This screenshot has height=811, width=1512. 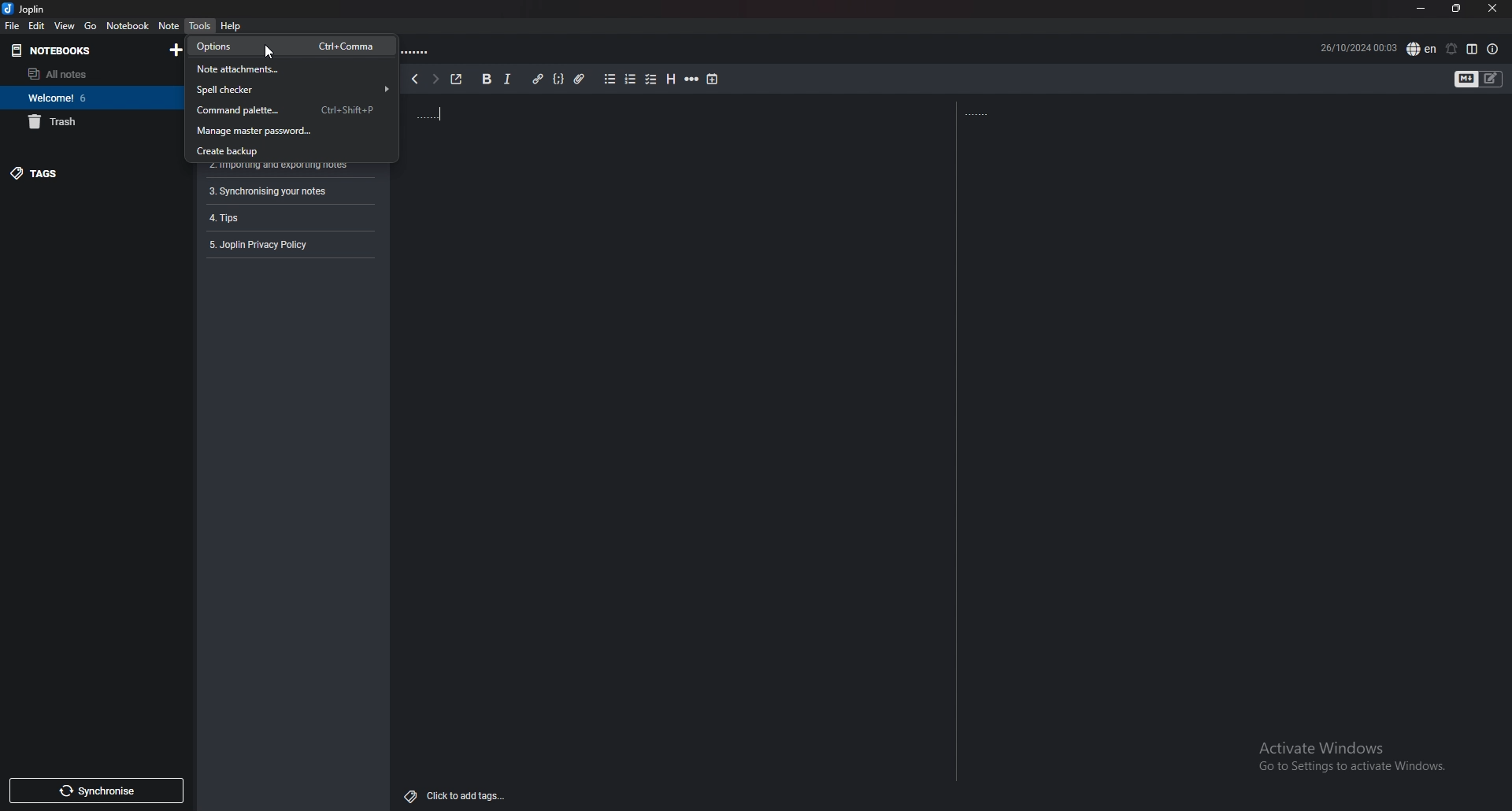 I want to click on edit, so click(x=37, y=26).